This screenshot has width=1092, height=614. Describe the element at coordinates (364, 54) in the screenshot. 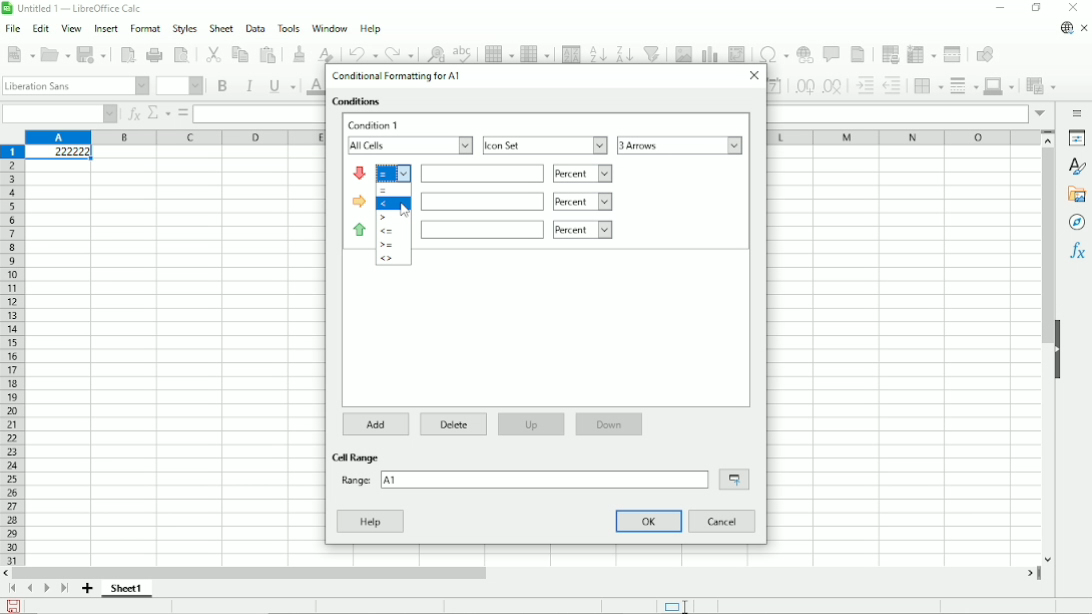

I see `undo` at that location.